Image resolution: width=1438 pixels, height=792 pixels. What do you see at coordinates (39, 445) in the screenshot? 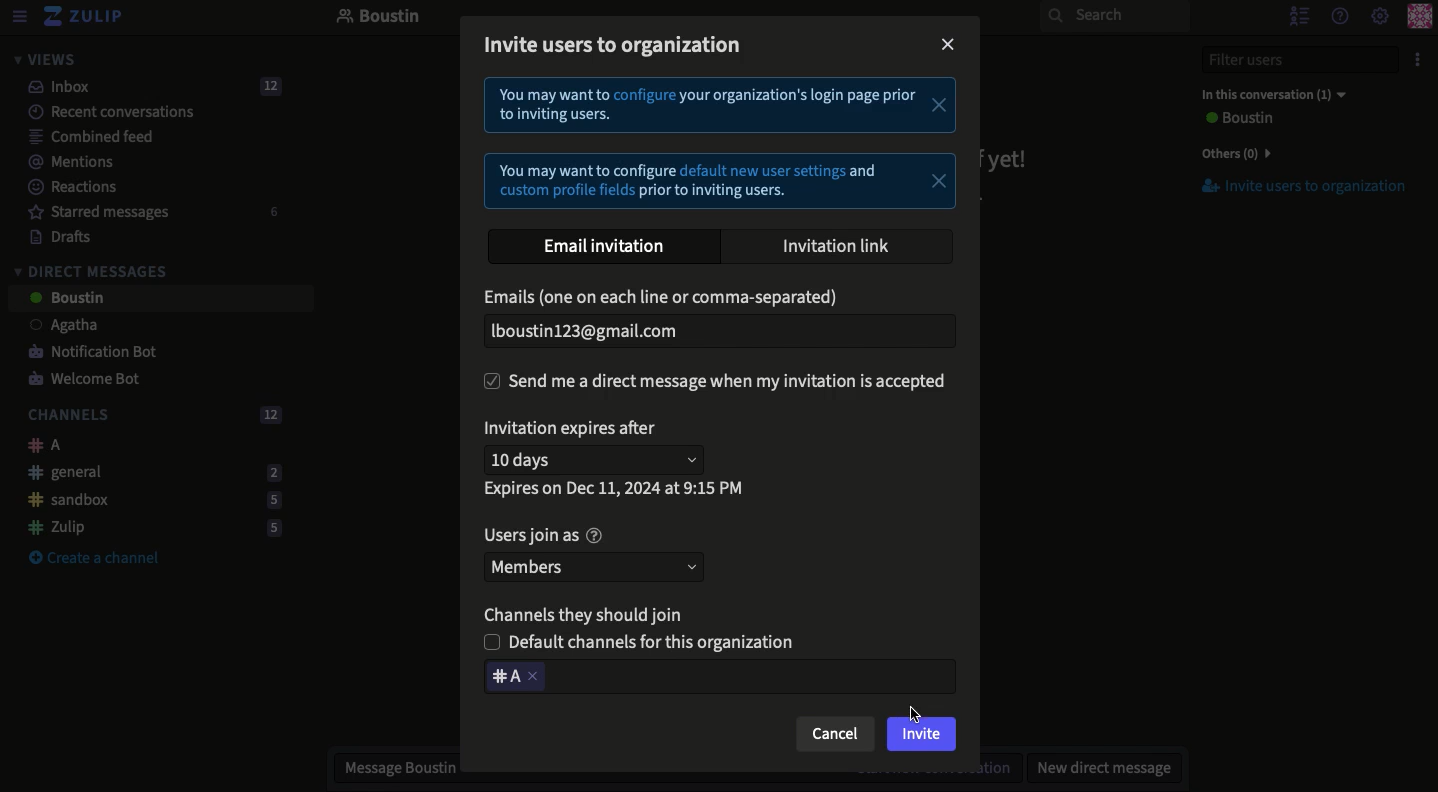
I see `A` at bounding box center [39, 445].